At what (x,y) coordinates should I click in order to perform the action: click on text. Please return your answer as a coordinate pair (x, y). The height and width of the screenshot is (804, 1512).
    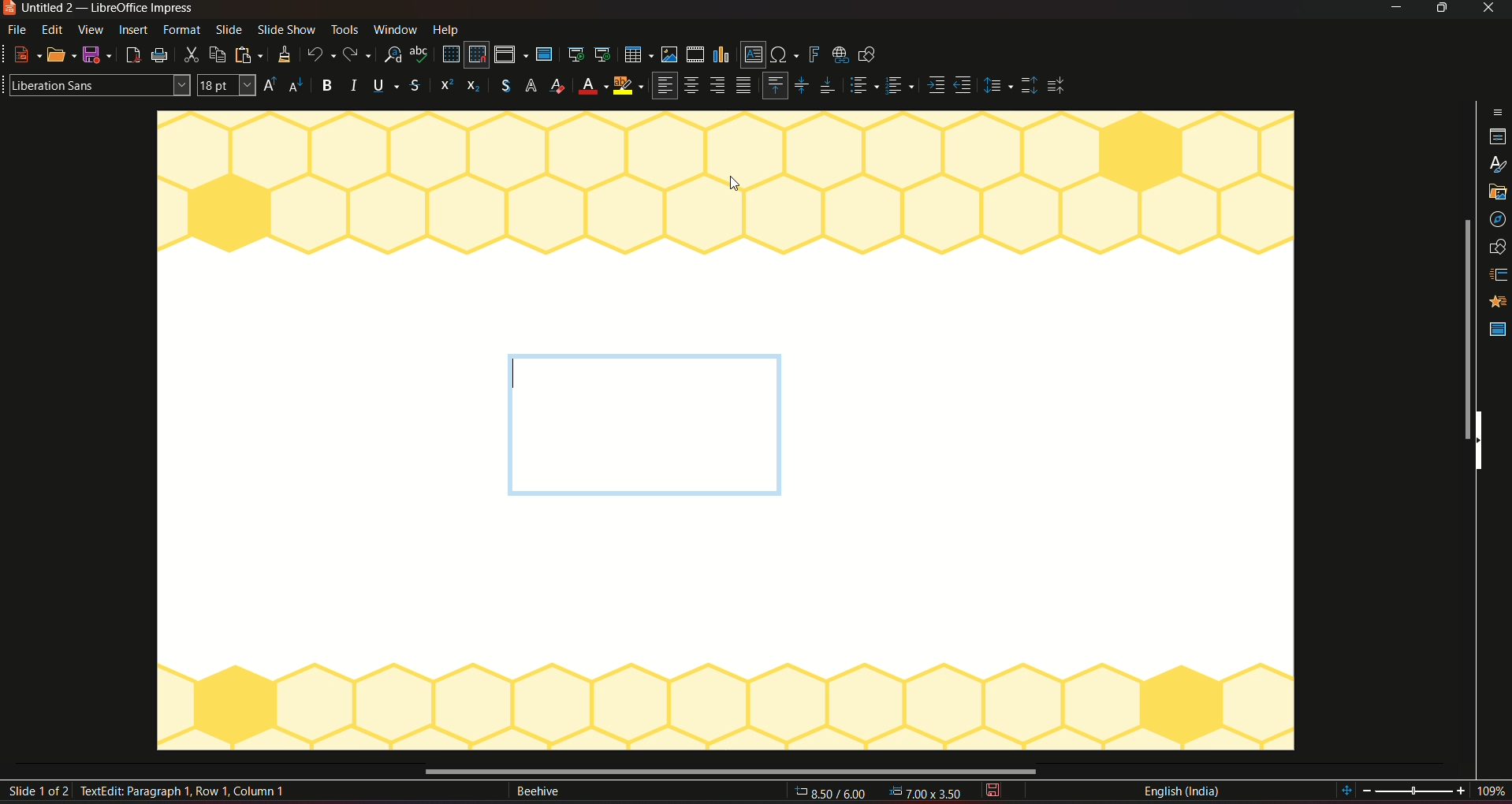
    Looking at the image, I should click on (537, 793).